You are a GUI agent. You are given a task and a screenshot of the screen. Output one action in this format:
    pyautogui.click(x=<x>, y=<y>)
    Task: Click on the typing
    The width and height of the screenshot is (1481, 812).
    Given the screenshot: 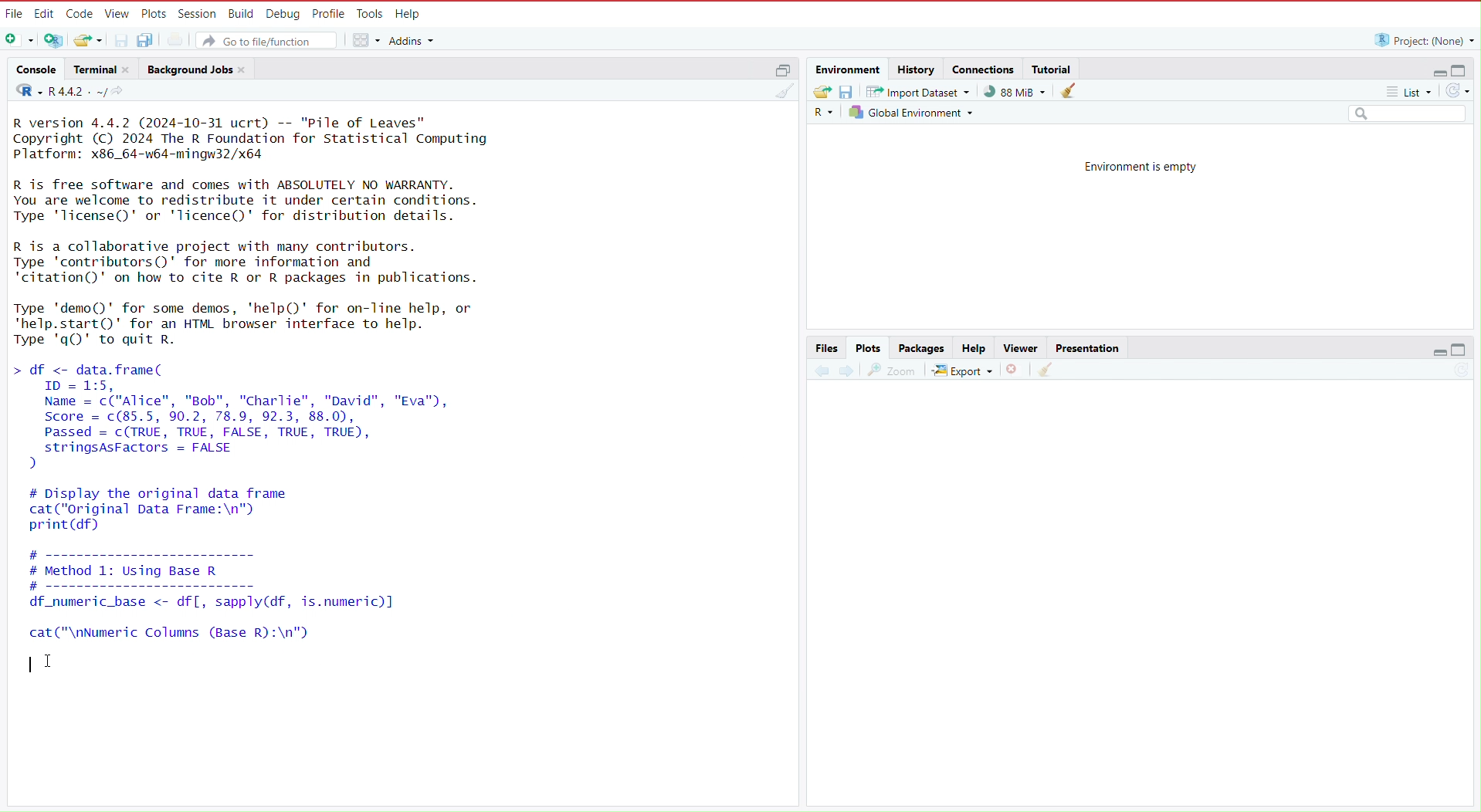 What is the action you would take?
    pyautogui.click(x=20, y=667)
    